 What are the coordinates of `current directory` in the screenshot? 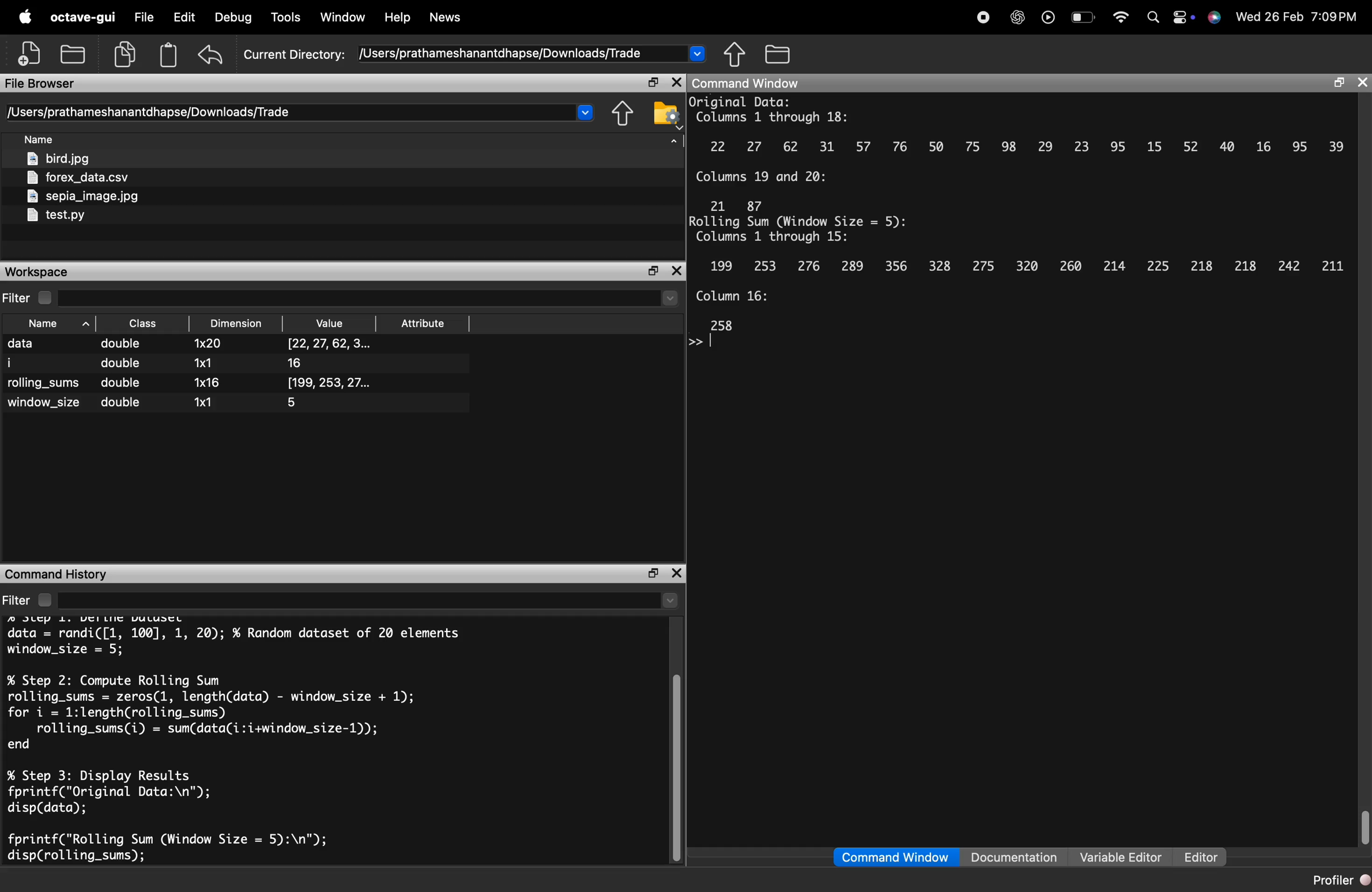 It's located at (301, 112).